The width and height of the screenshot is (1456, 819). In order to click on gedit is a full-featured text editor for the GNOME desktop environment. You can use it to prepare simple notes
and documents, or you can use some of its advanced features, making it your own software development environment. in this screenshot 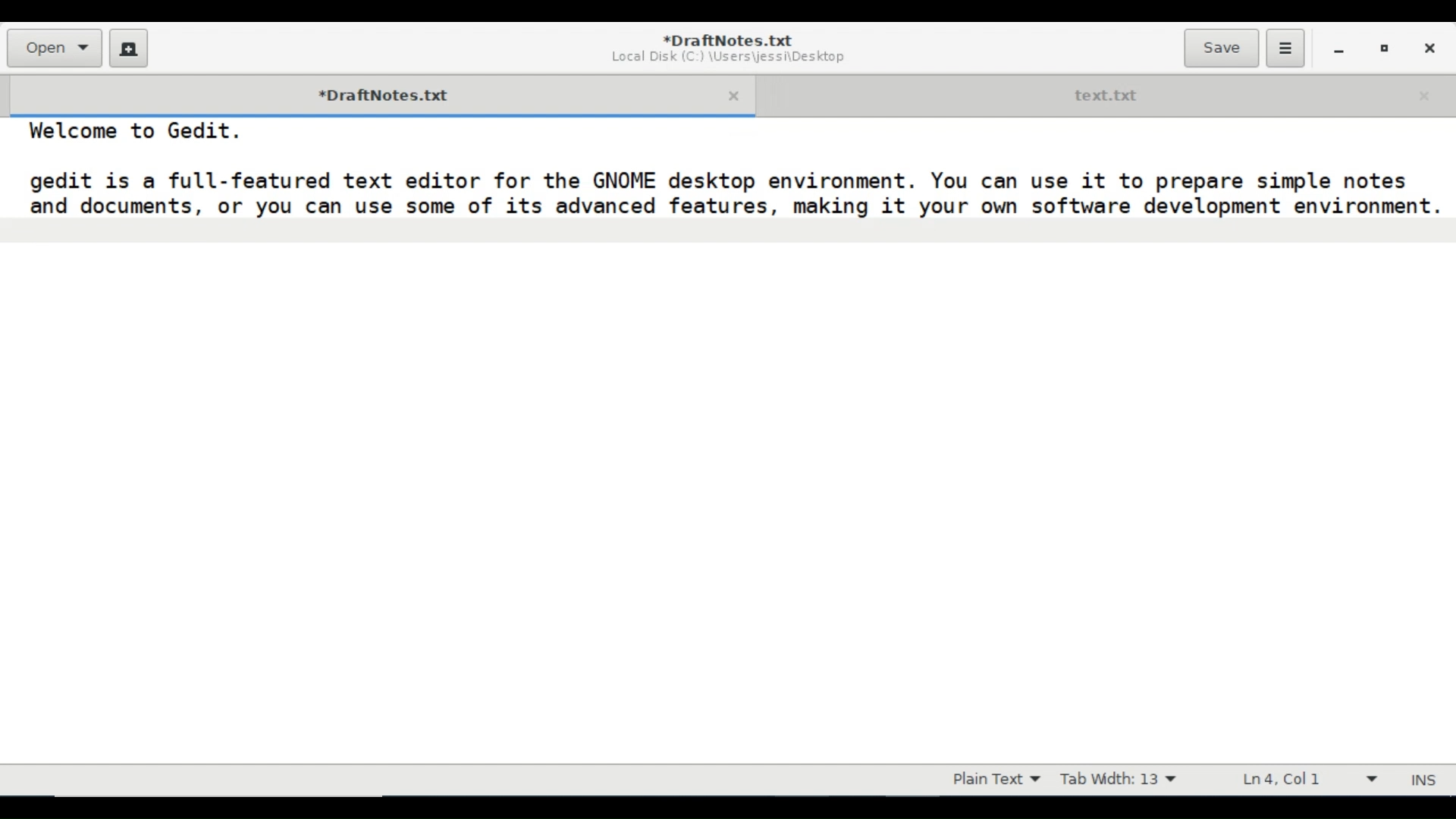, I will do `click(725, 190)`.